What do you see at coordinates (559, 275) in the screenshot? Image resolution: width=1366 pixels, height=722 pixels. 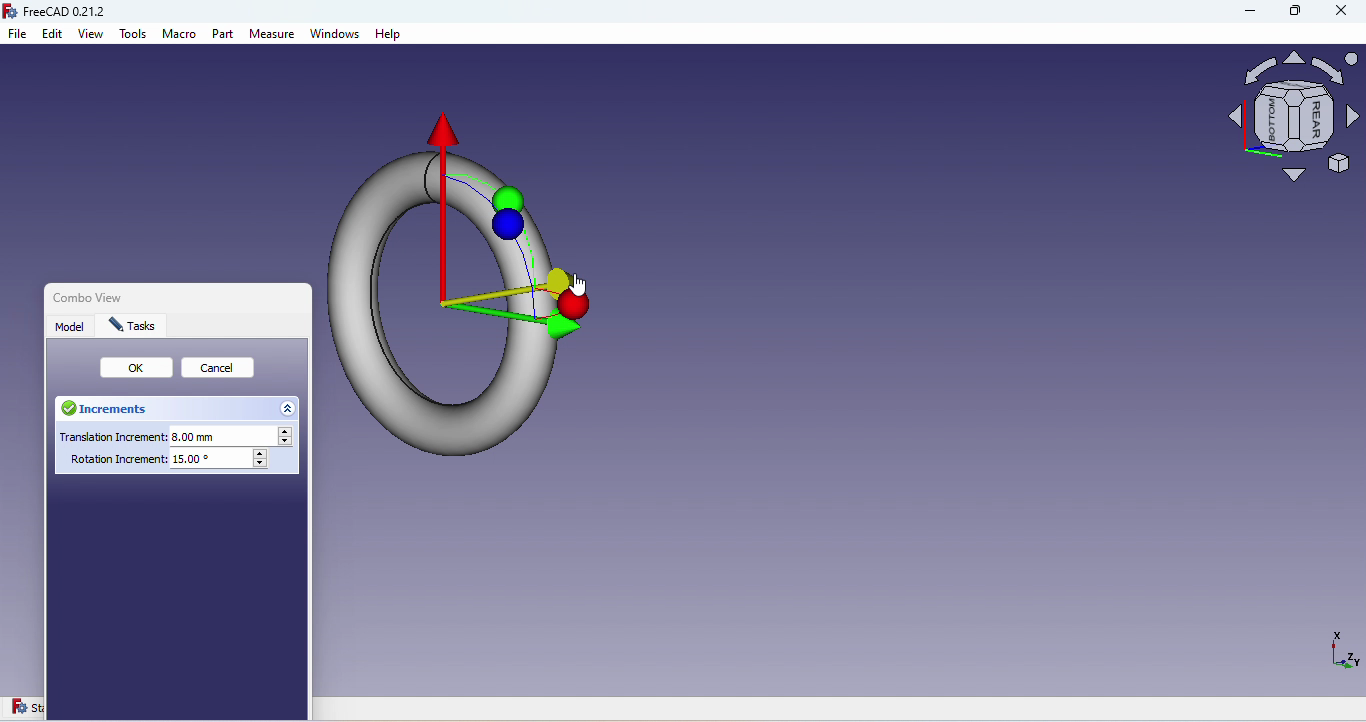 I see `Move to Z-axis` at bounding box center [559, 275].